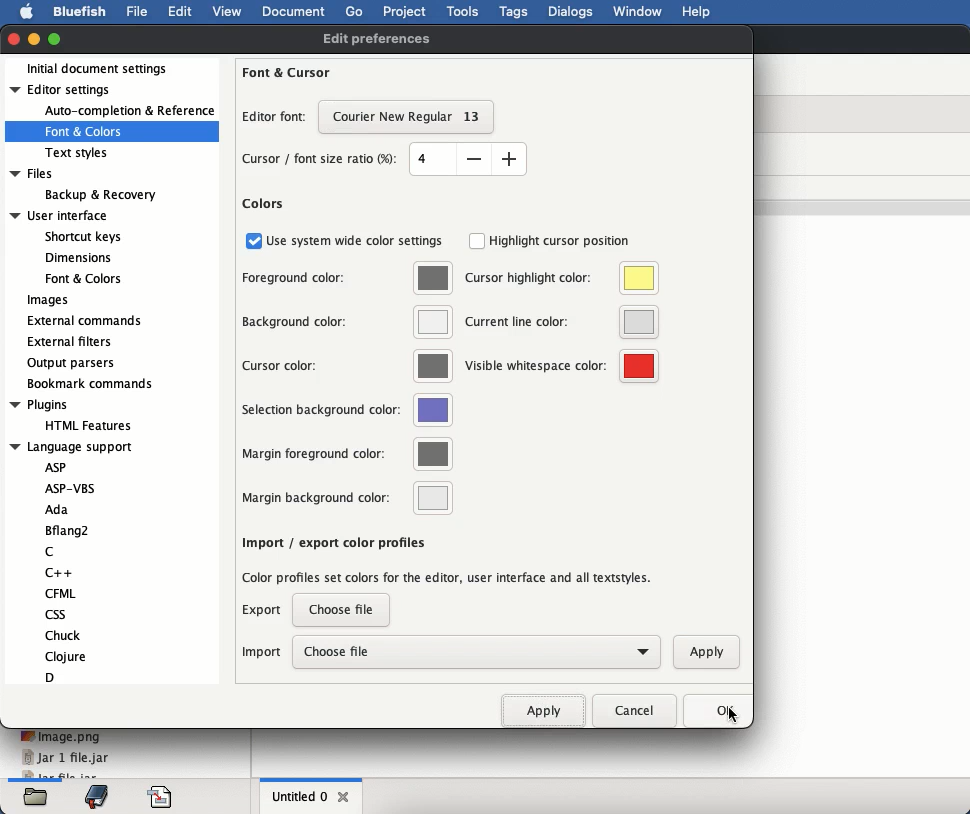 This screenshot has height=814, width=970. I want to click on cursor color, so click(346, 365).